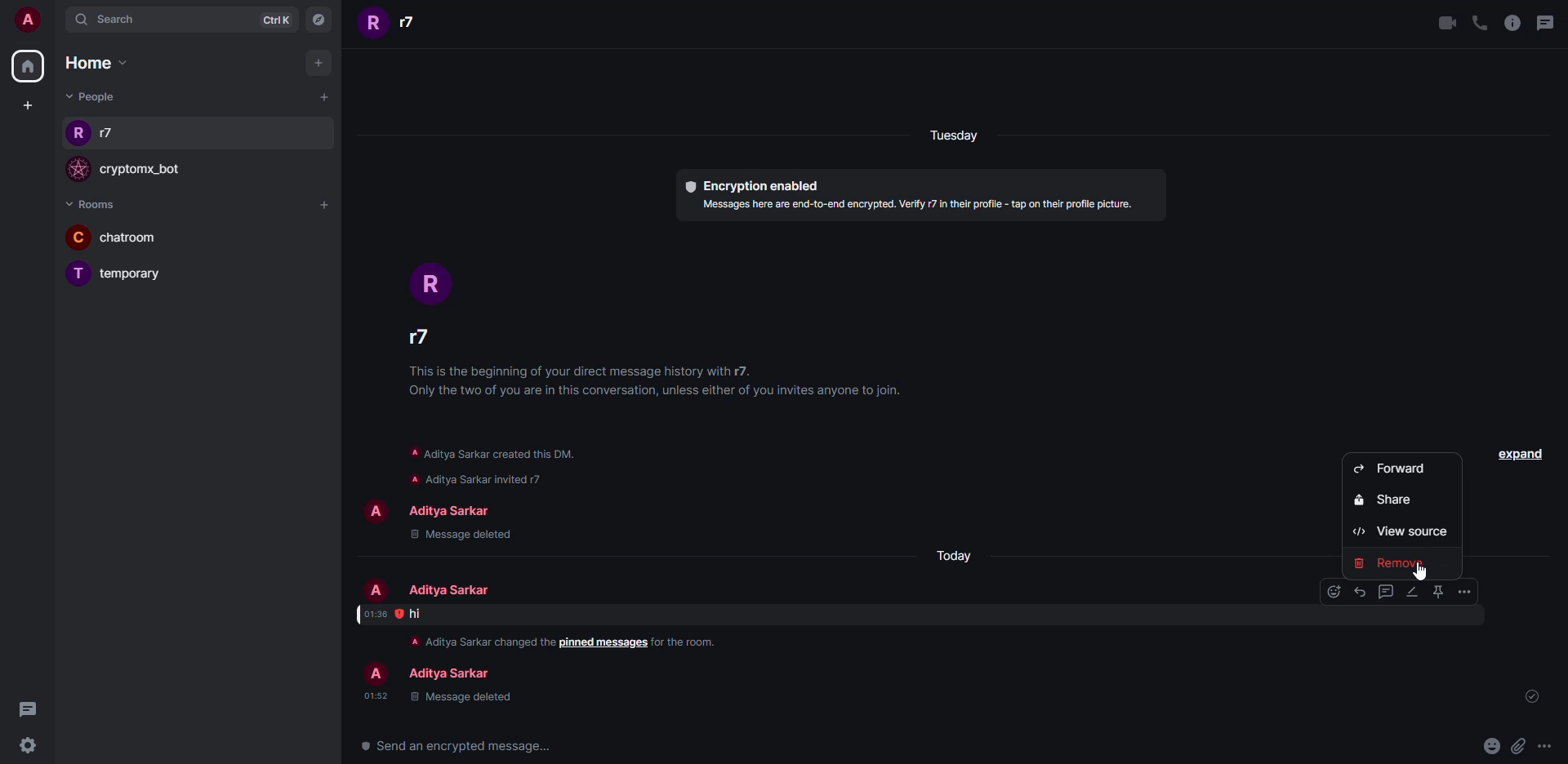  What do you see at coordinates (1334, 591) in the screenshot?
I see `emoji` at bounding box center [1334, 591].